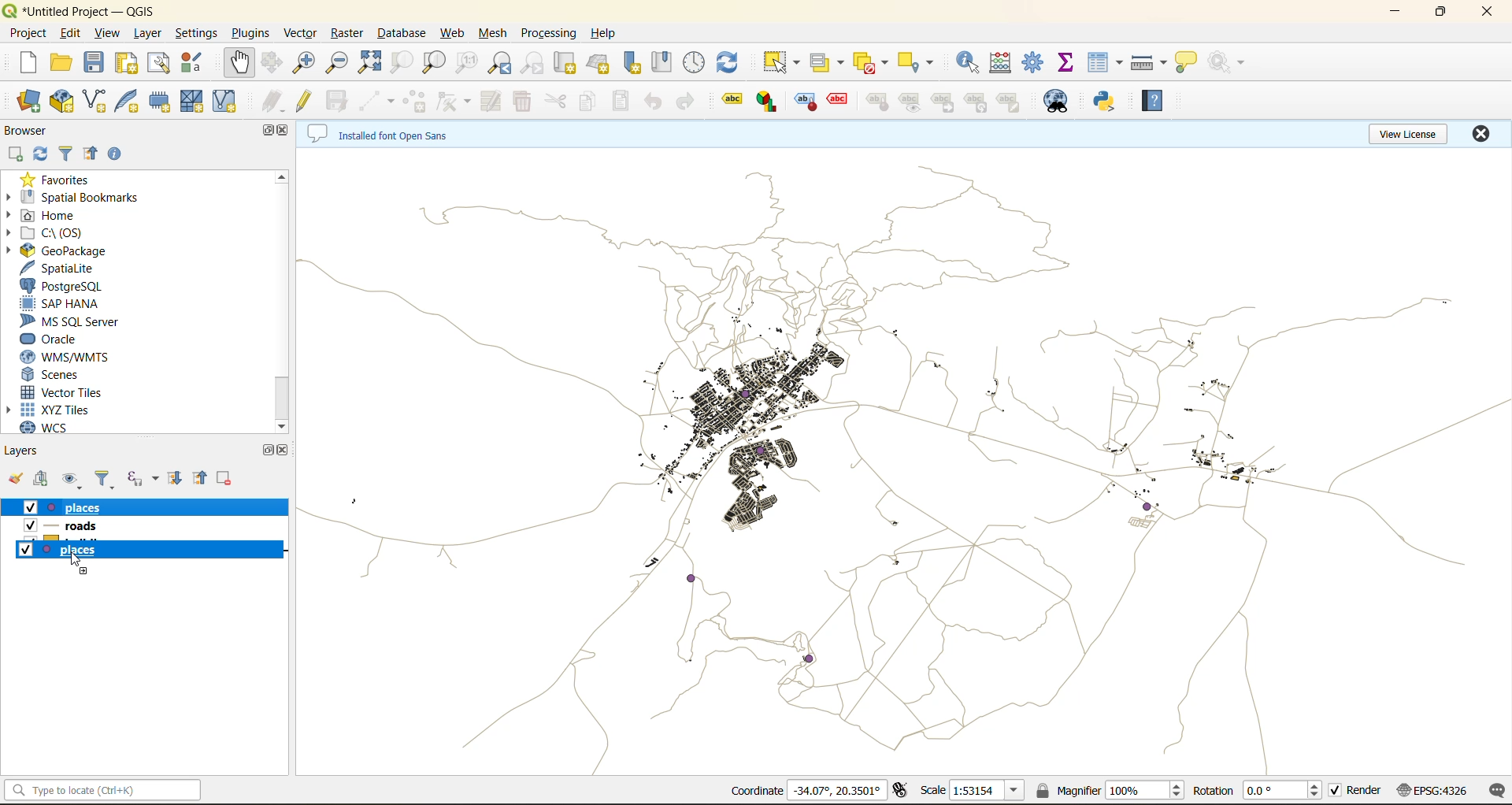 This screenshot has width=1512, height=805. What do you see at coordinates (73, 35) in the screenshot?
I see `edit` at bounding box center [73, 35].